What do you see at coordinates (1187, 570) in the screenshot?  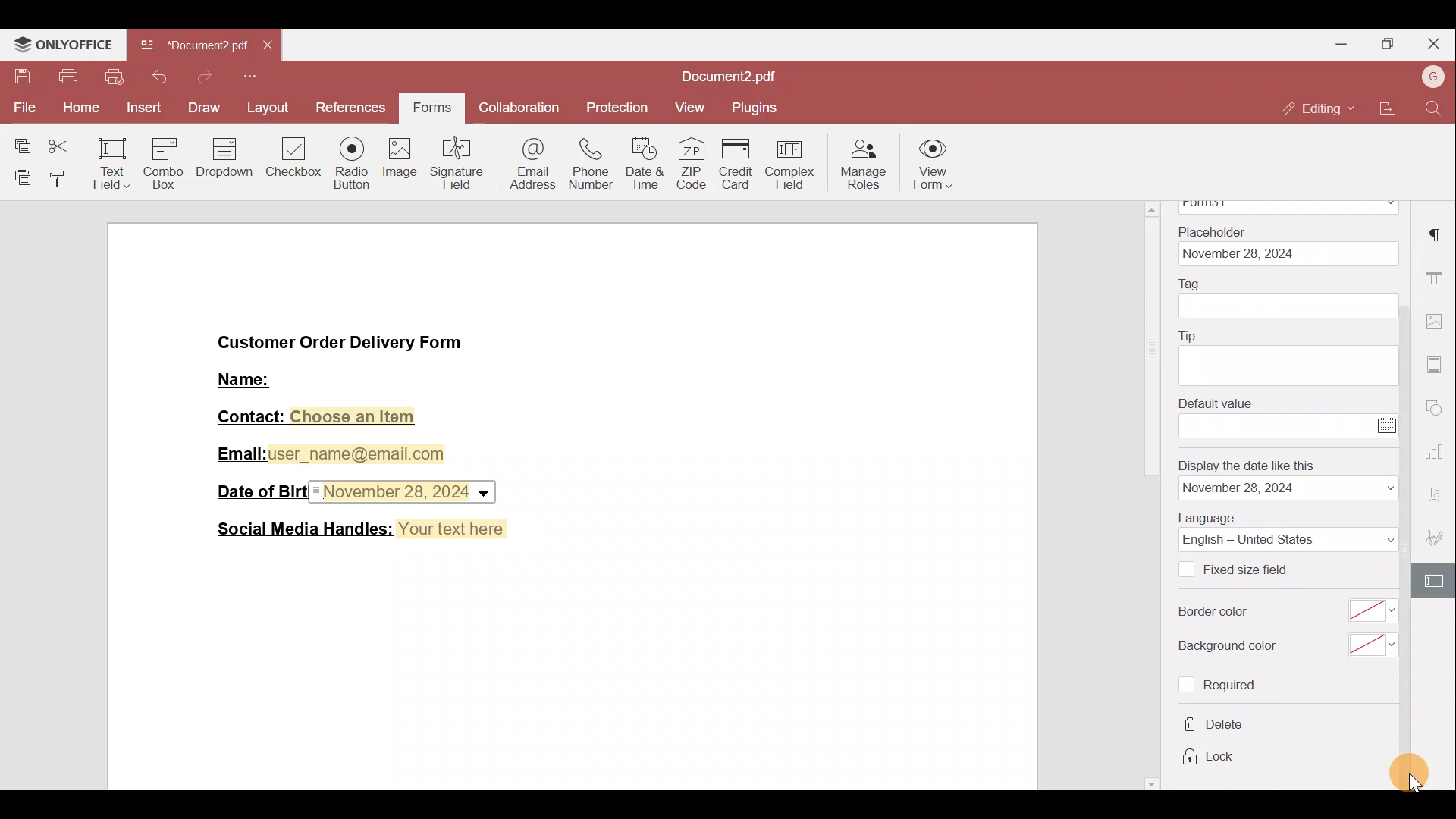 I see `Checkbox ` at bounding box center [1187, 570].